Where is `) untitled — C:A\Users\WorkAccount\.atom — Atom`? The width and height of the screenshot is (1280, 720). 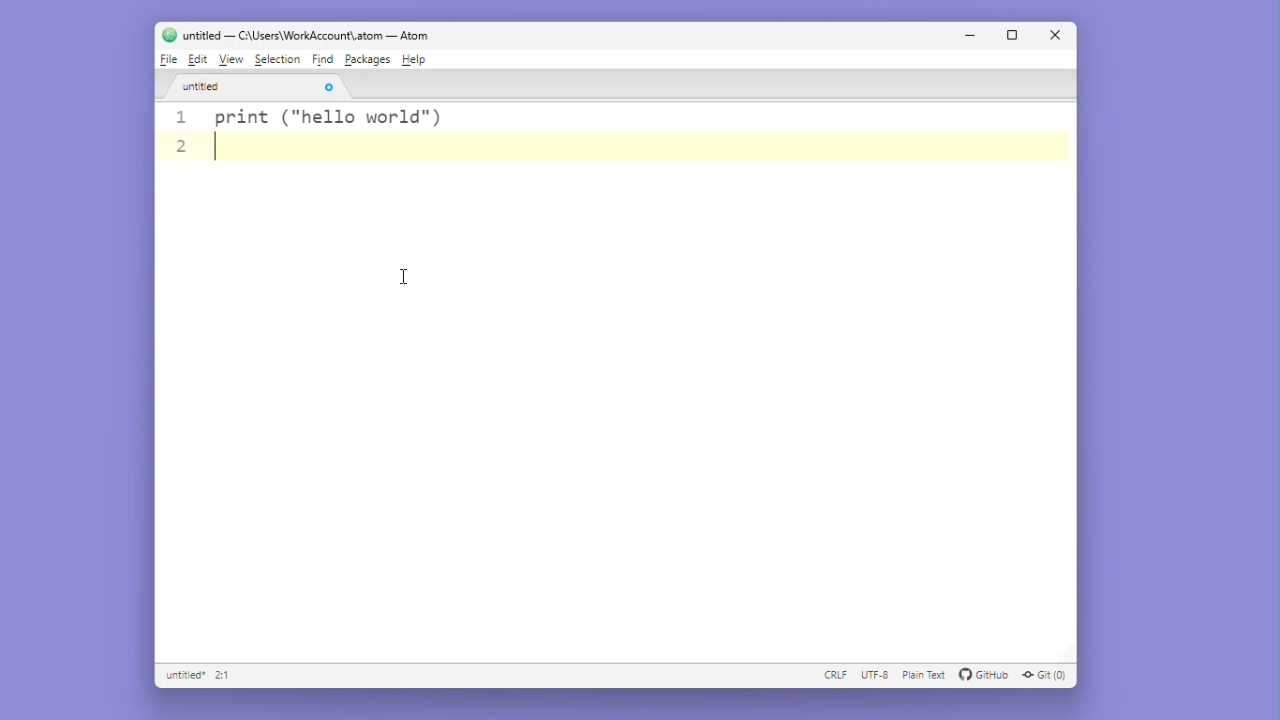 ) untitled — C:A\Users\WorkAccount\.atom — Atom is located at coordinates (309, 35).